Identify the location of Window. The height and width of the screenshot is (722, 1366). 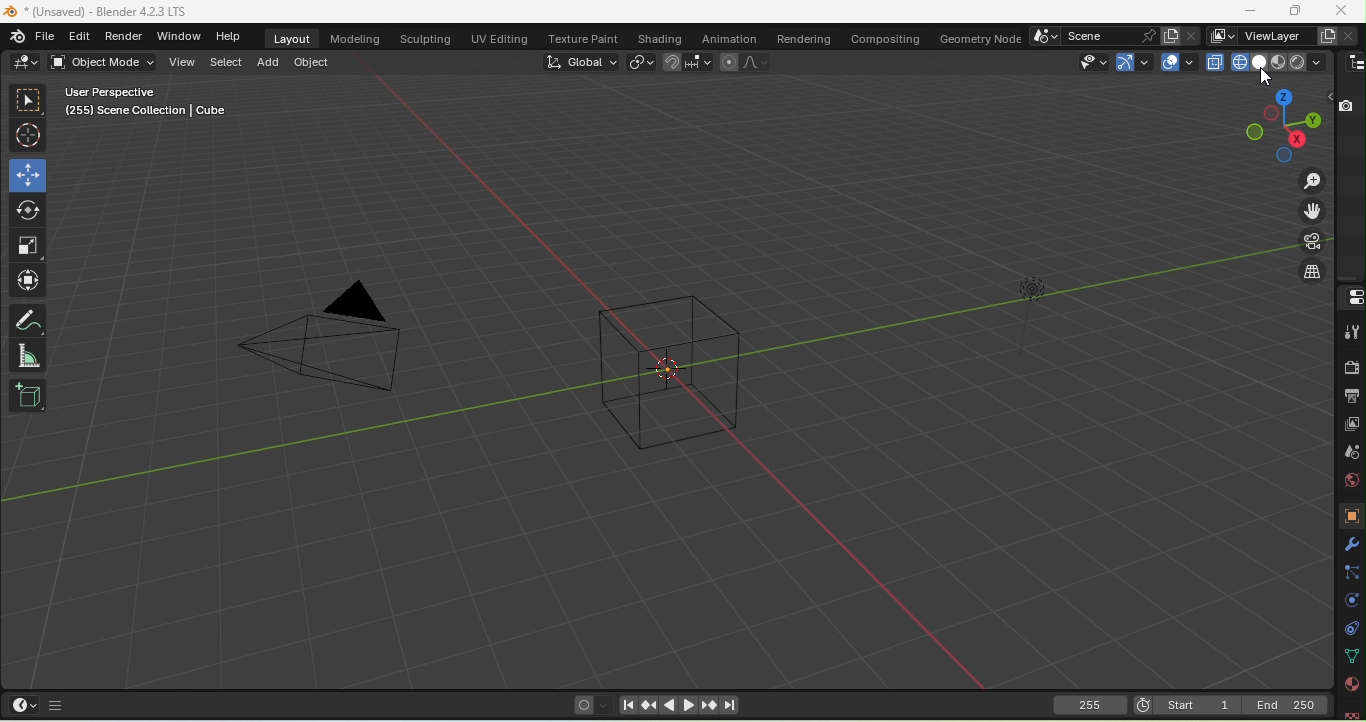
(180, 36).